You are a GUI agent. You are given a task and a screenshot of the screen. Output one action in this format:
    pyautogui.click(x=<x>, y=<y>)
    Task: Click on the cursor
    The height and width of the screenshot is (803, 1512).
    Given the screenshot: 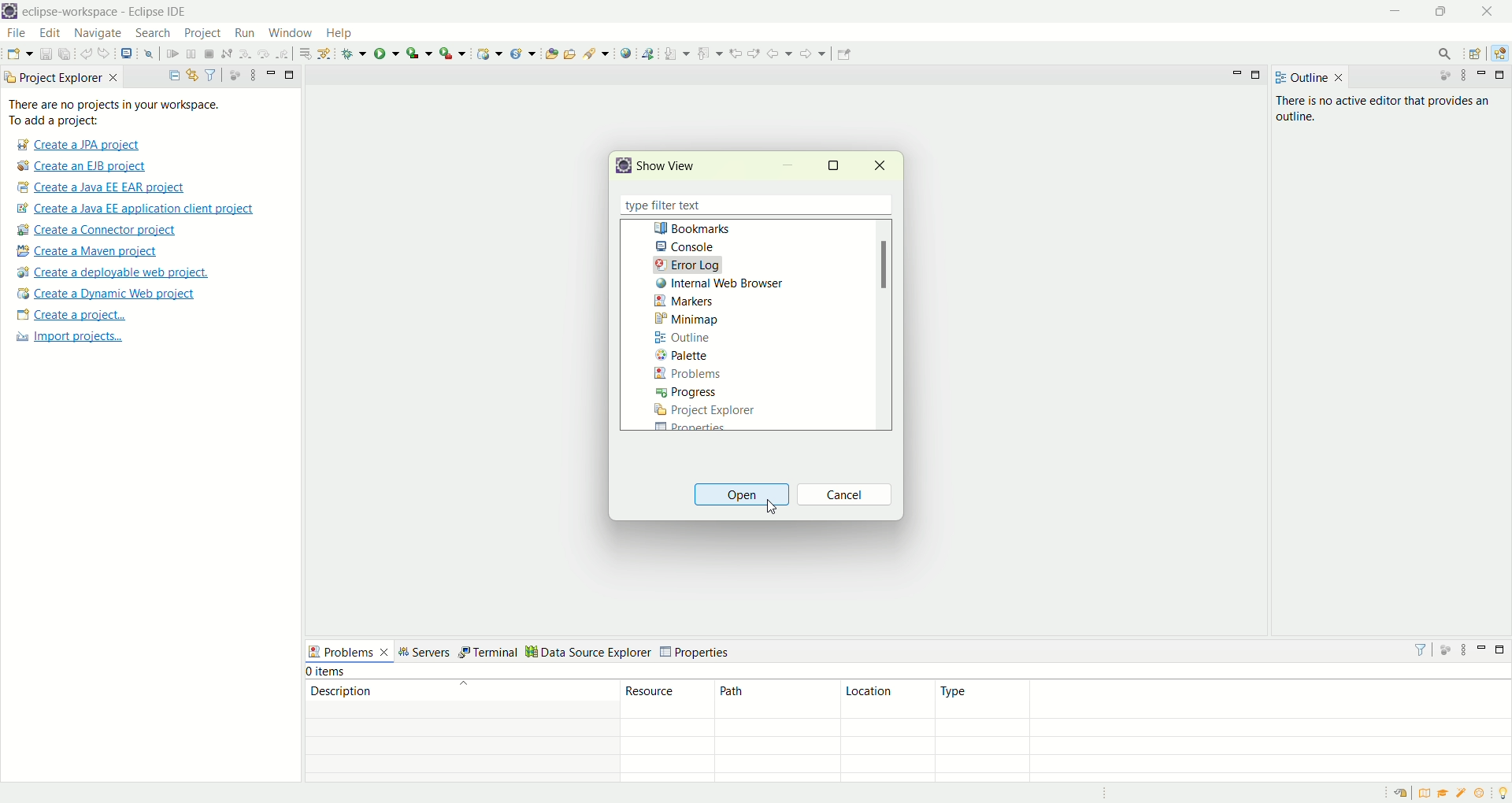 What is the action you would take?
    pyautogui.click(x=769, y=506)
    